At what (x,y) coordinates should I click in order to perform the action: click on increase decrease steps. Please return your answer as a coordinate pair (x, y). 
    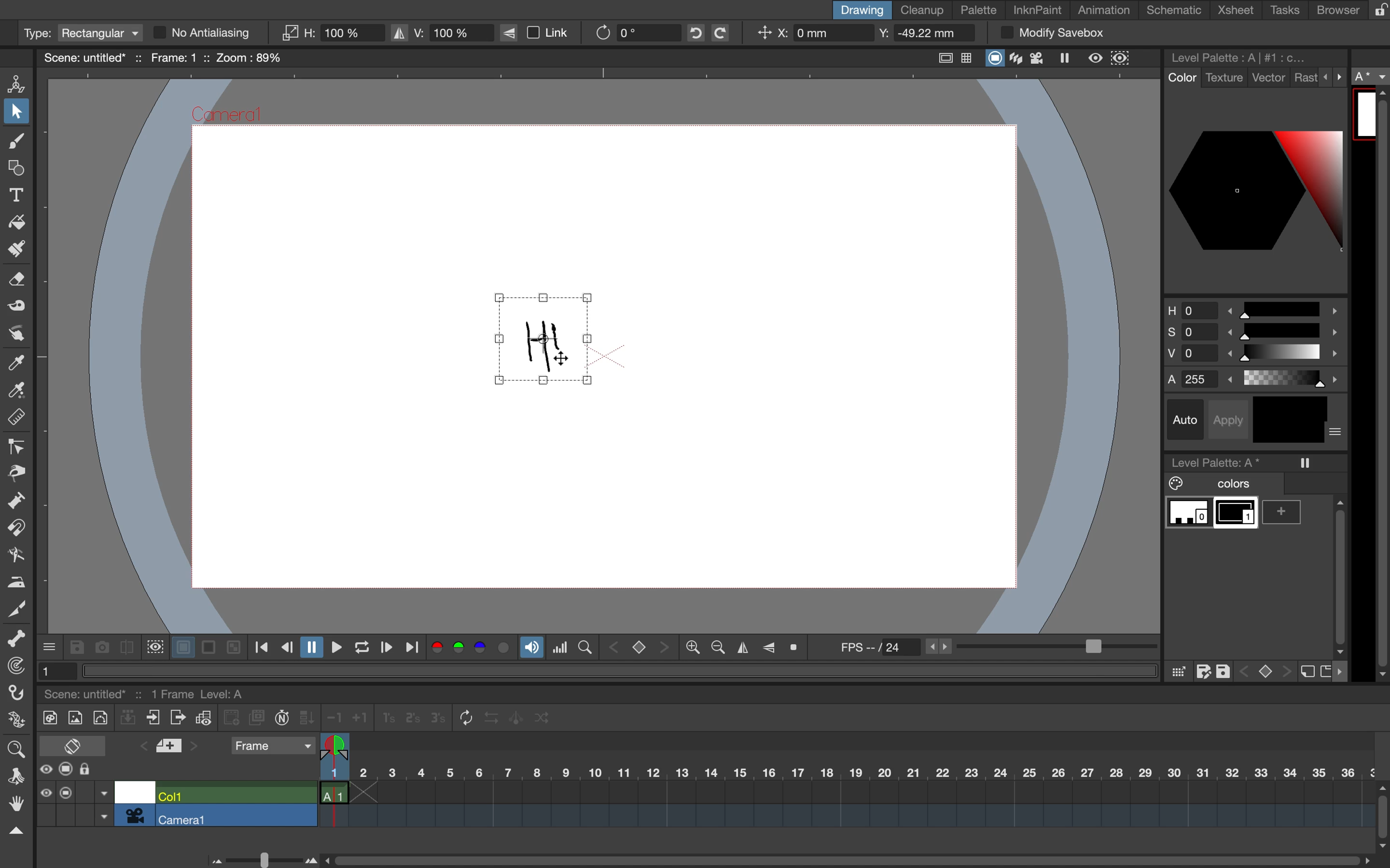
    Looking at the image, I should click on (344, 718).